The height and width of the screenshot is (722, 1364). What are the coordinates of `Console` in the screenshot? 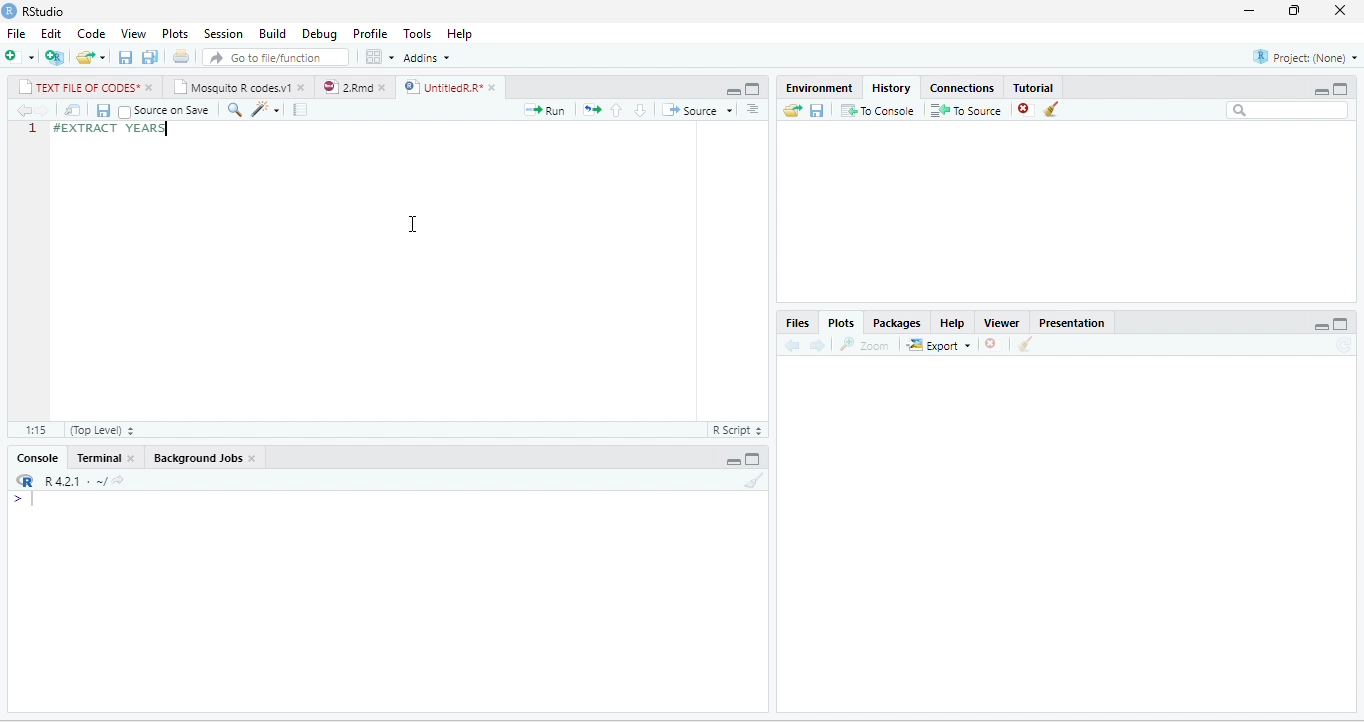 It's located at (37, 458).